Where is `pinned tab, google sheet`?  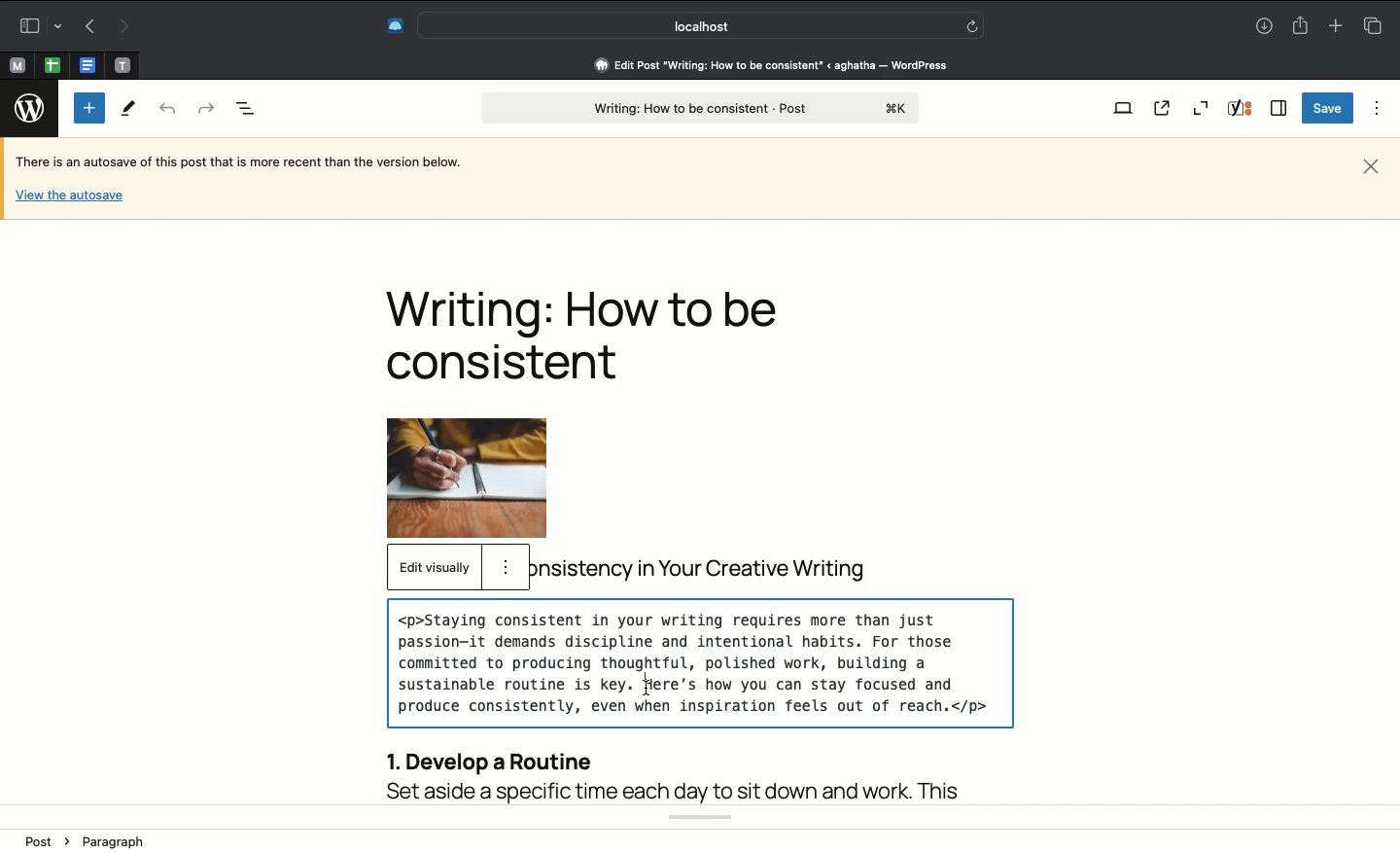
pinned tab, google sheet is located at coordinates (52, 62).